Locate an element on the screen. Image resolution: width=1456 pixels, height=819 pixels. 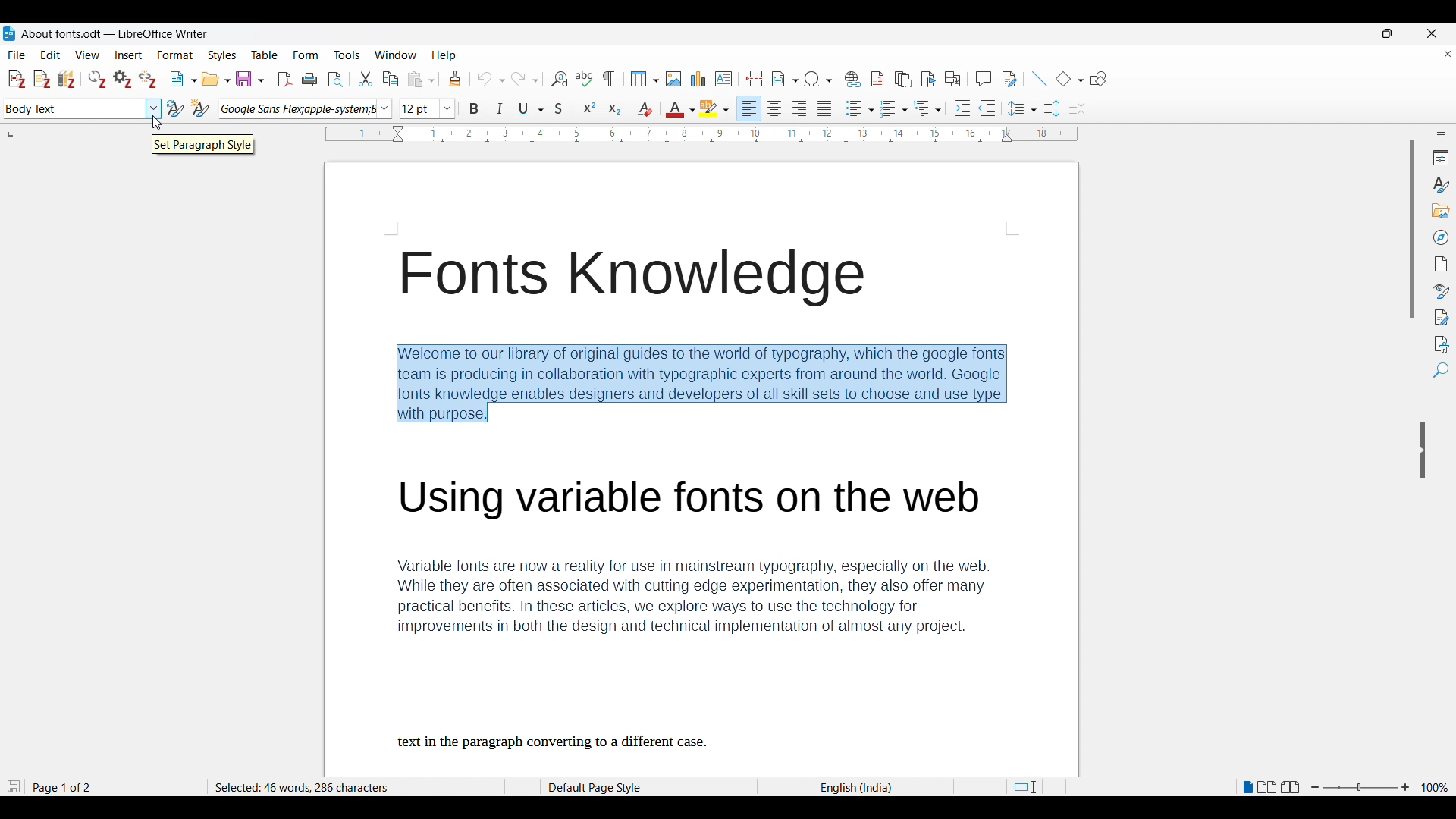
Unlink citations is located at coordinates (148, 79).